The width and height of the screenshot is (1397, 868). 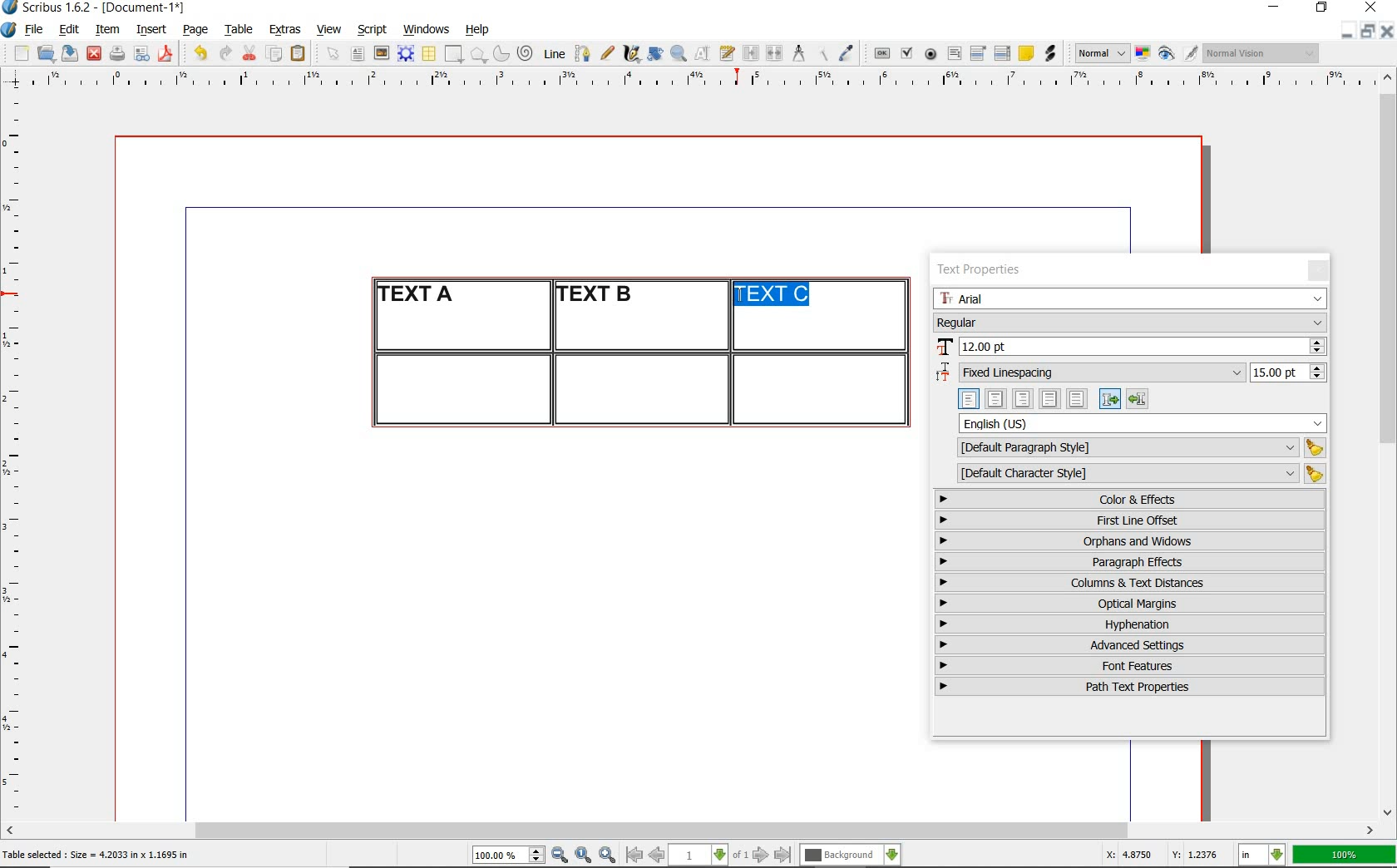 I want to click on rotate item, so click(x=655, y=53).